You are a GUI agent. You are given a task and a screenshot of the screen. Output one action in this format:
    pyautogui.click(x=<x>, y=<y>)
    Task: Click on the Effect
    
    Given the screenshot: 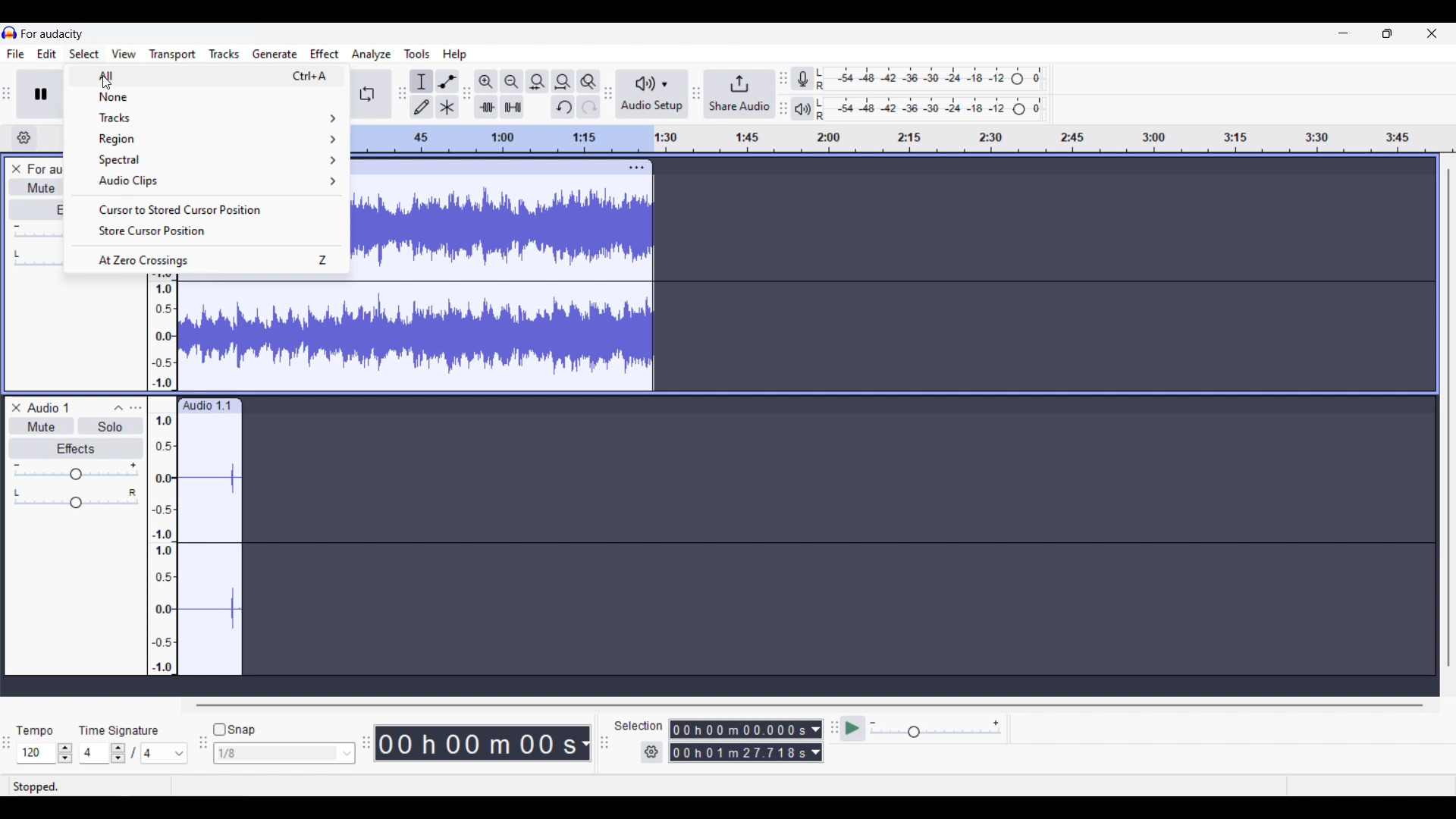 What is the action you would take?
    pyautogui.click(x=324, y=54)
    